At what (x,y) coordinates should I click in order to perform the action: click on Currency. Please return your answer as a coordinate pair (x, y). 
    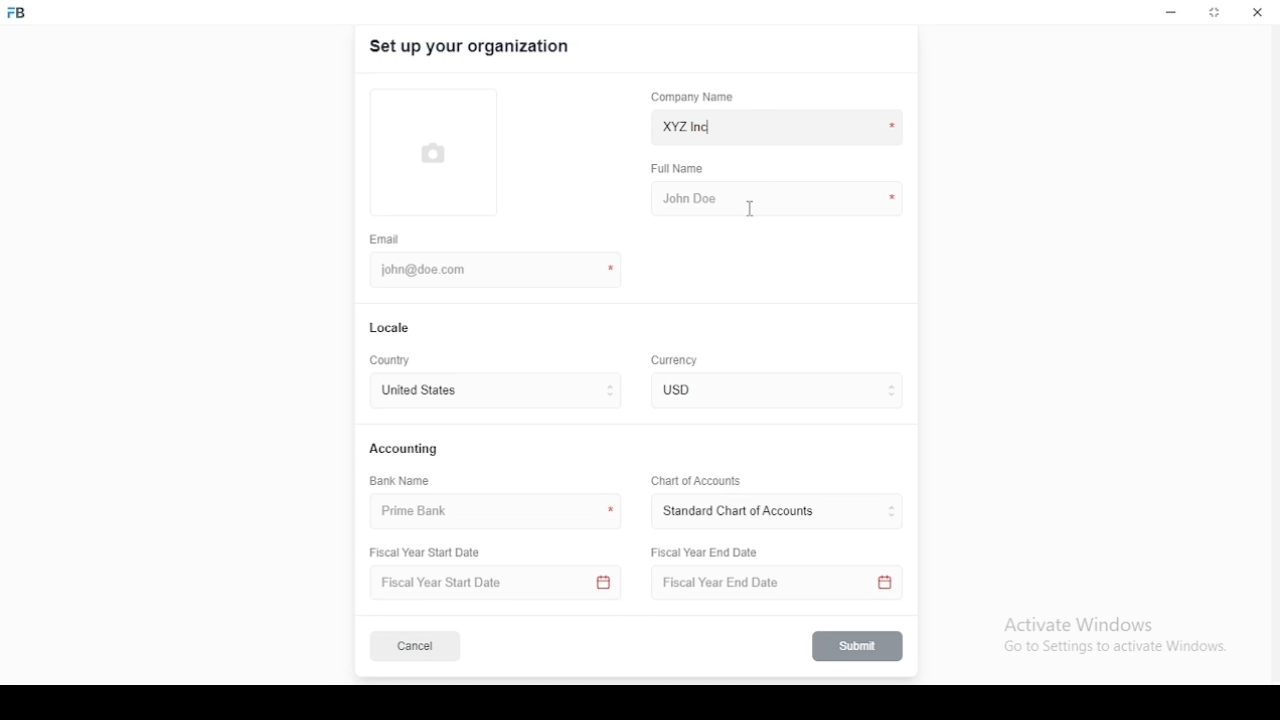
    Looking at the image, I should click on (675, 361).